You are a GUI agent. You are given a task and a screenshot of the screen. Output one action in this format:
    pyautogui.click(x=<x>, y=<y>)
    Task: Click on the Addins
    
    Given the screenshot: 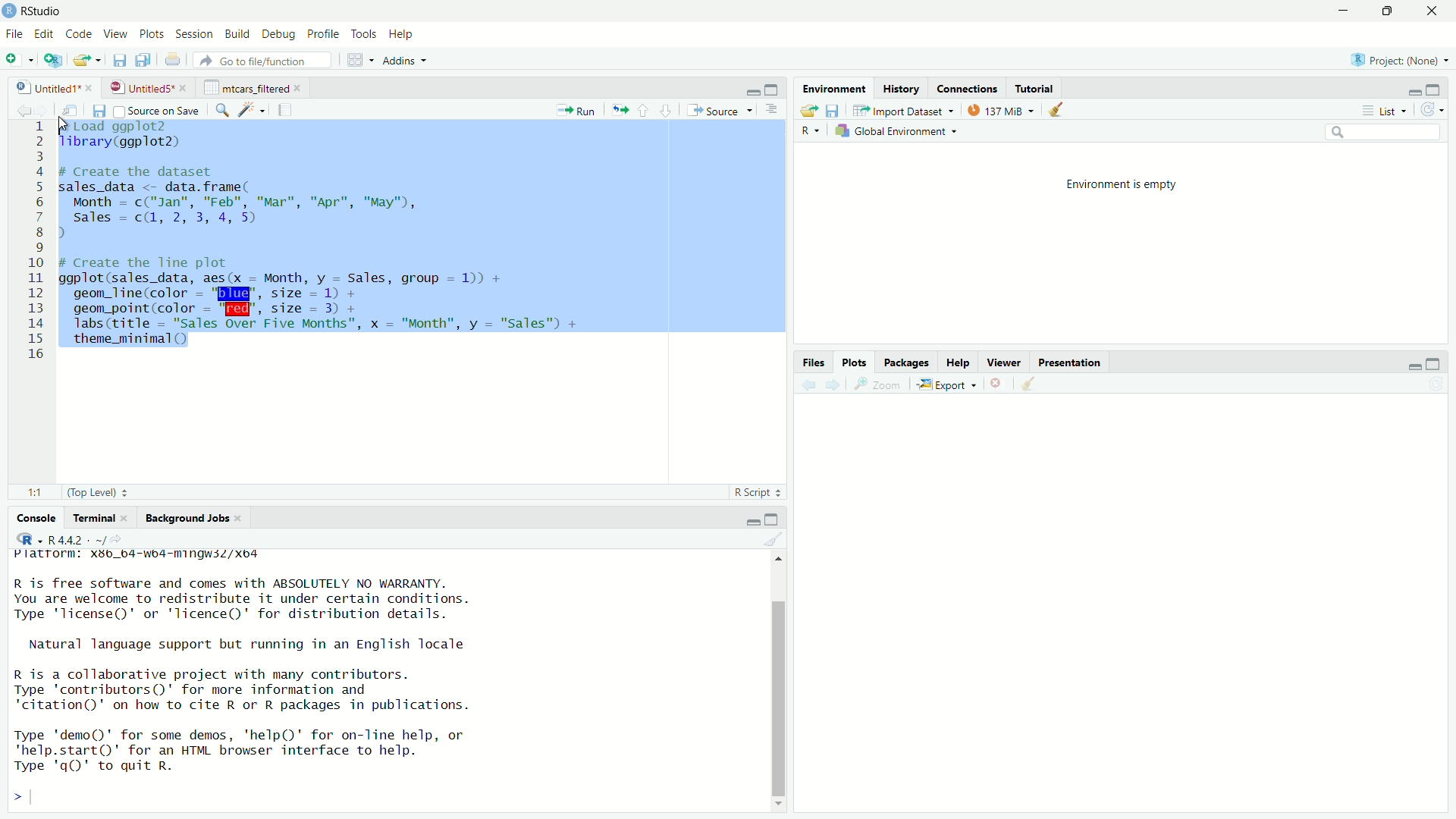 What is the action you would take?
    pyautogui.click(x=398, y=61)
    